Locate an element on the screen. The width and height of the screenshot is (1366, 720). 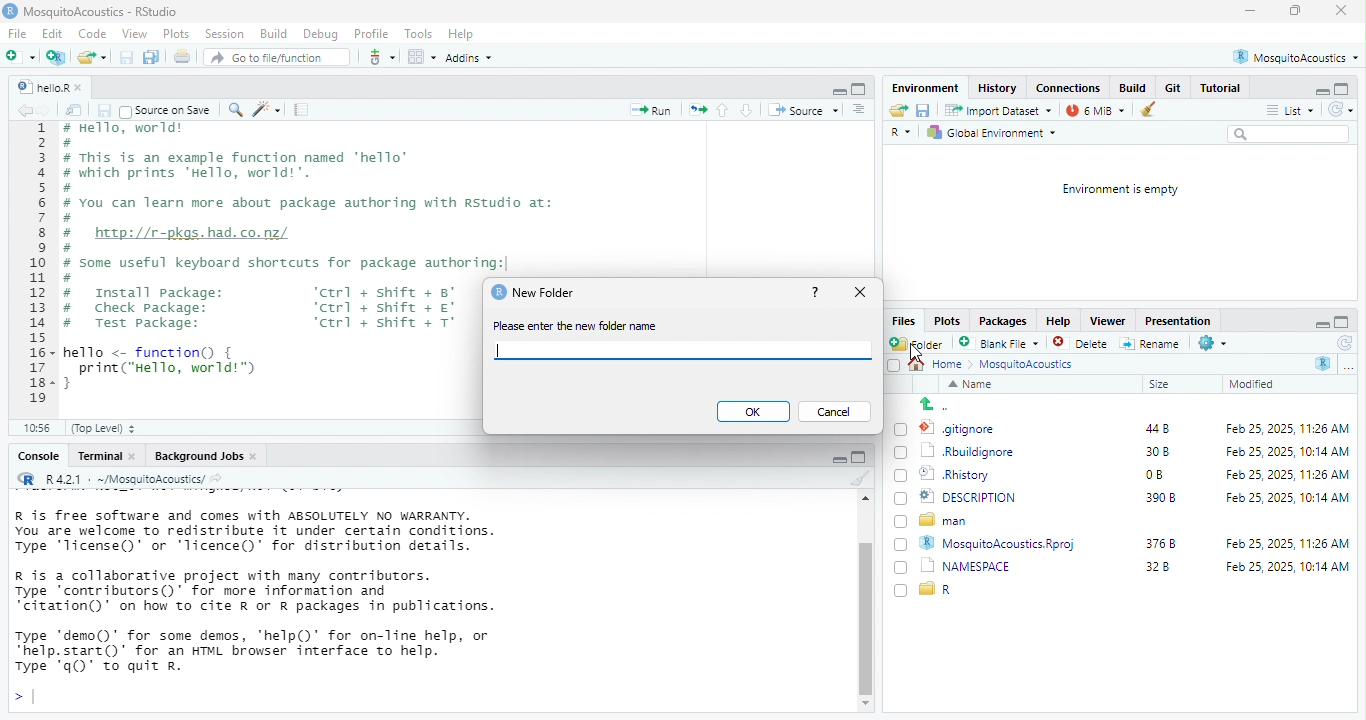
checkbox is located at coordinates (897, 591).